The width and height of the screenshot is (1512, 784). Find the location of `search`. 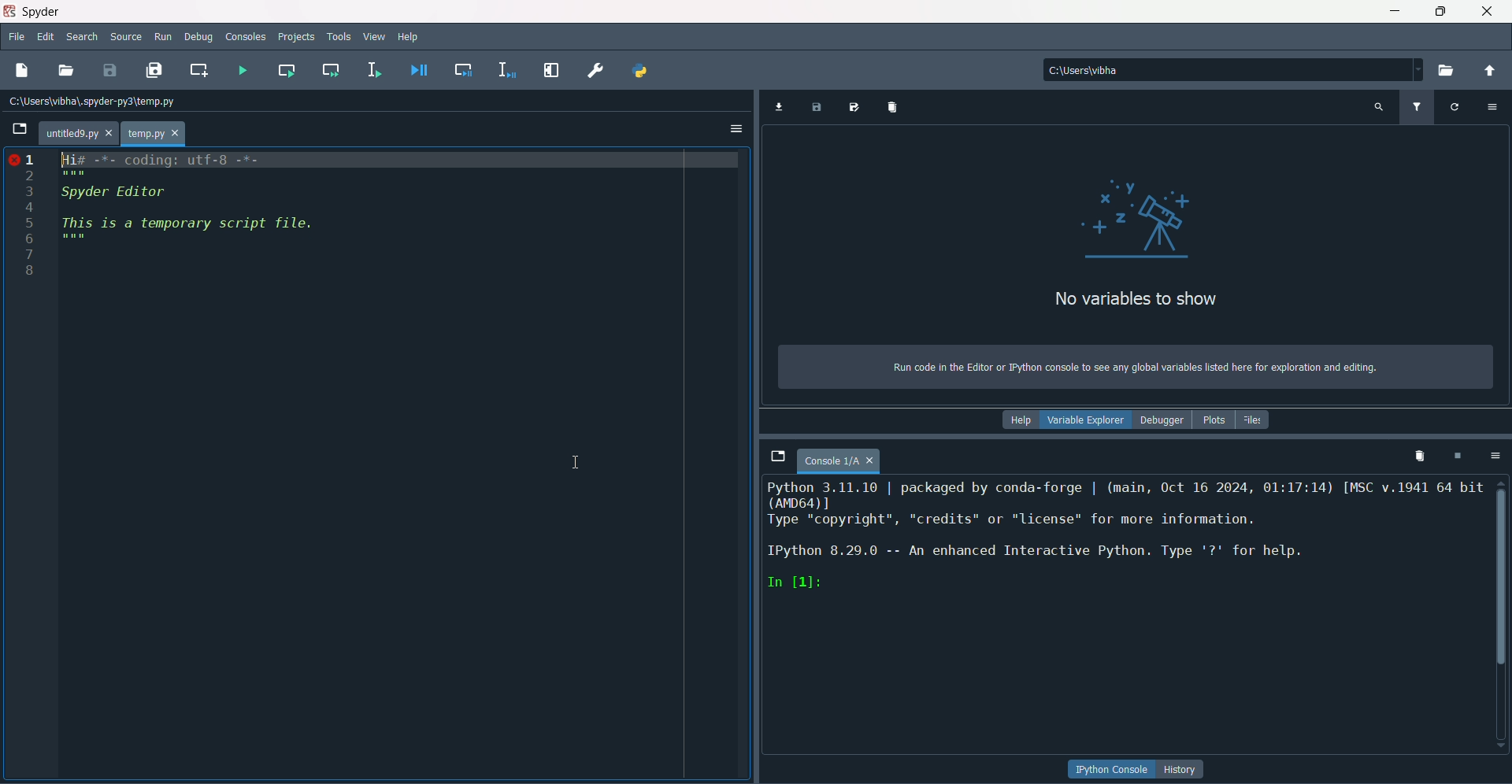

search is located at coordinates (83, 36).